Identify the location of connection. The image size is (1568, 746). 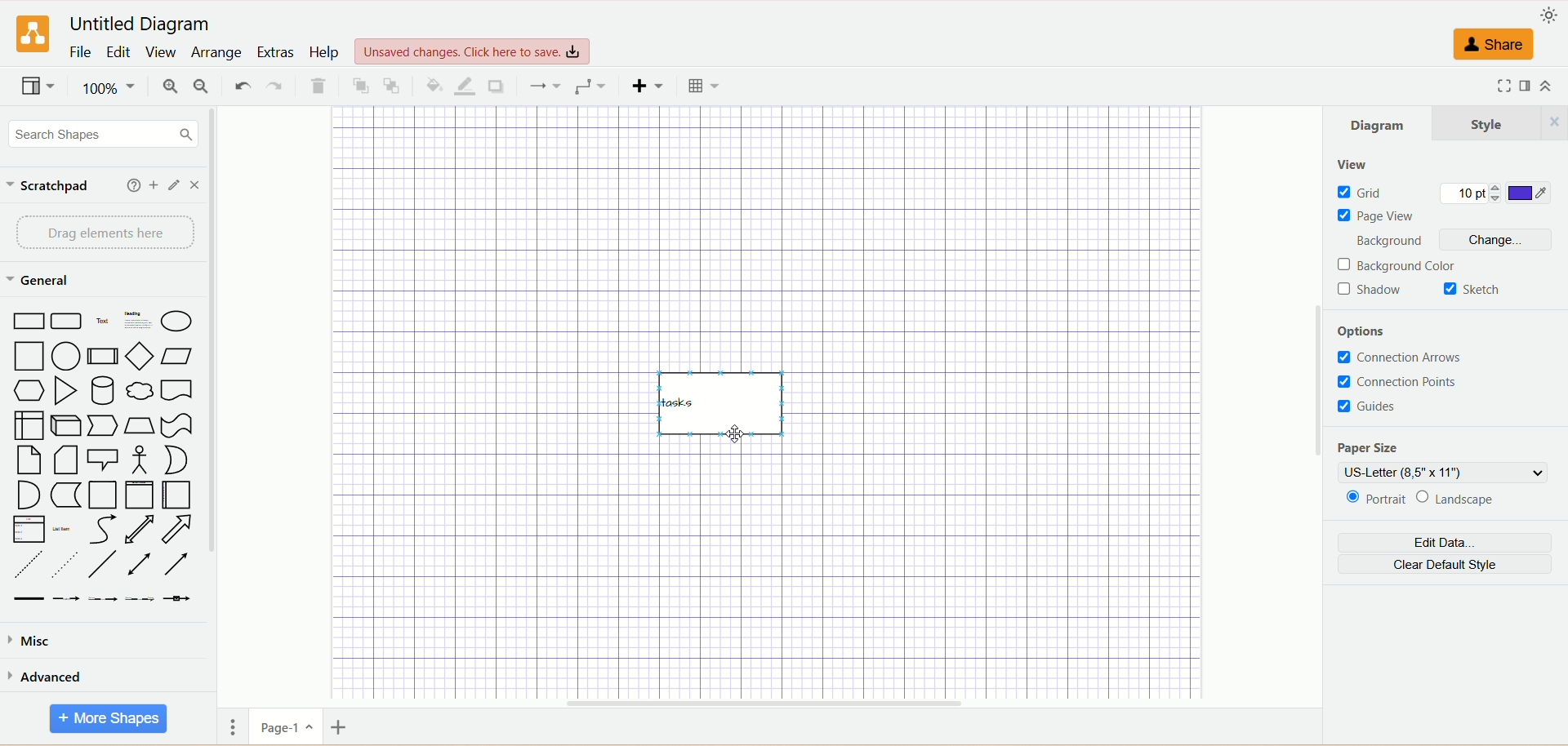
(545, 86).